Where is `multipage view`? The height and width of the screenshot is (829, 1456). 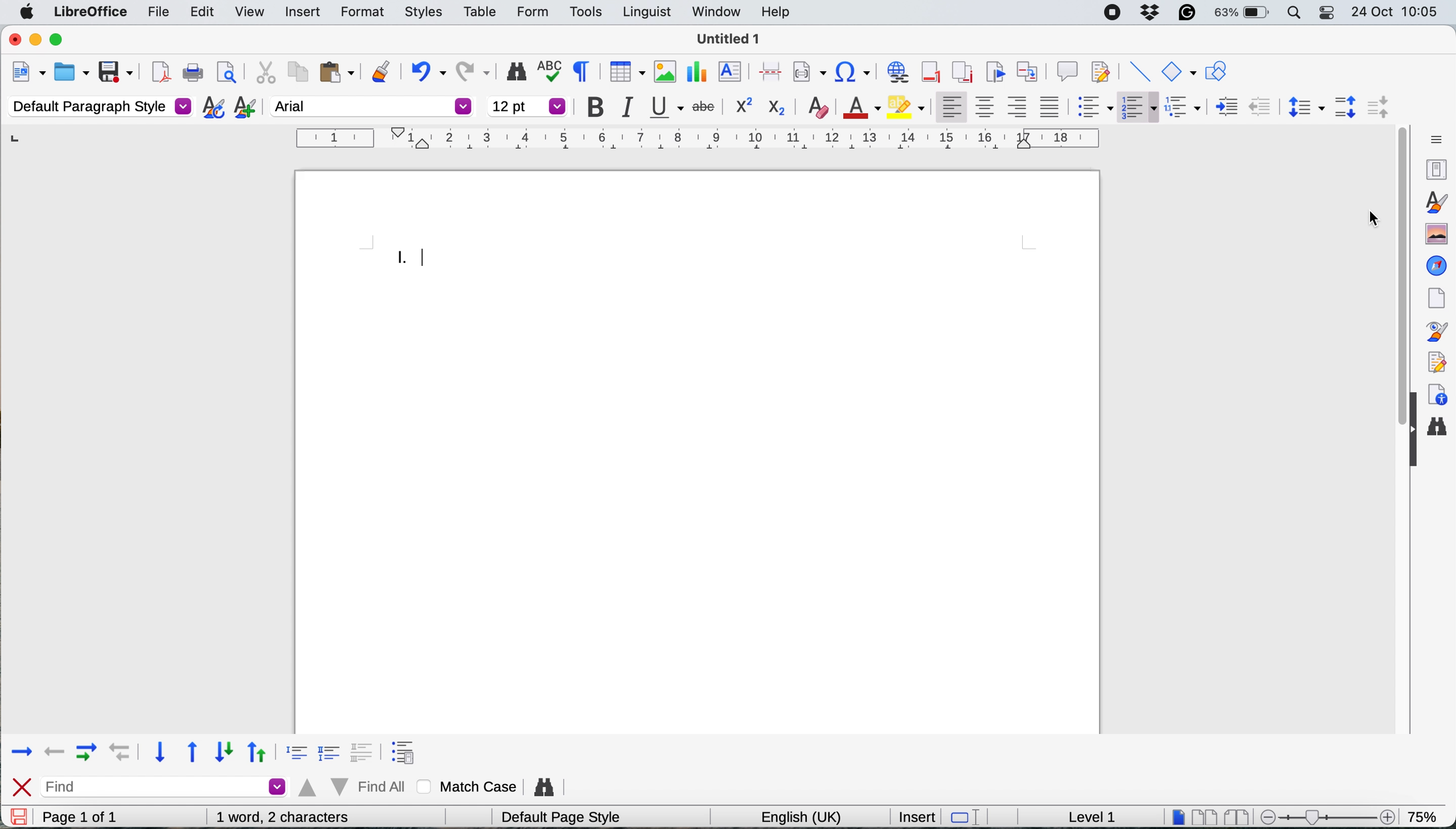 multipage view is located at coordinates (1206, 817).